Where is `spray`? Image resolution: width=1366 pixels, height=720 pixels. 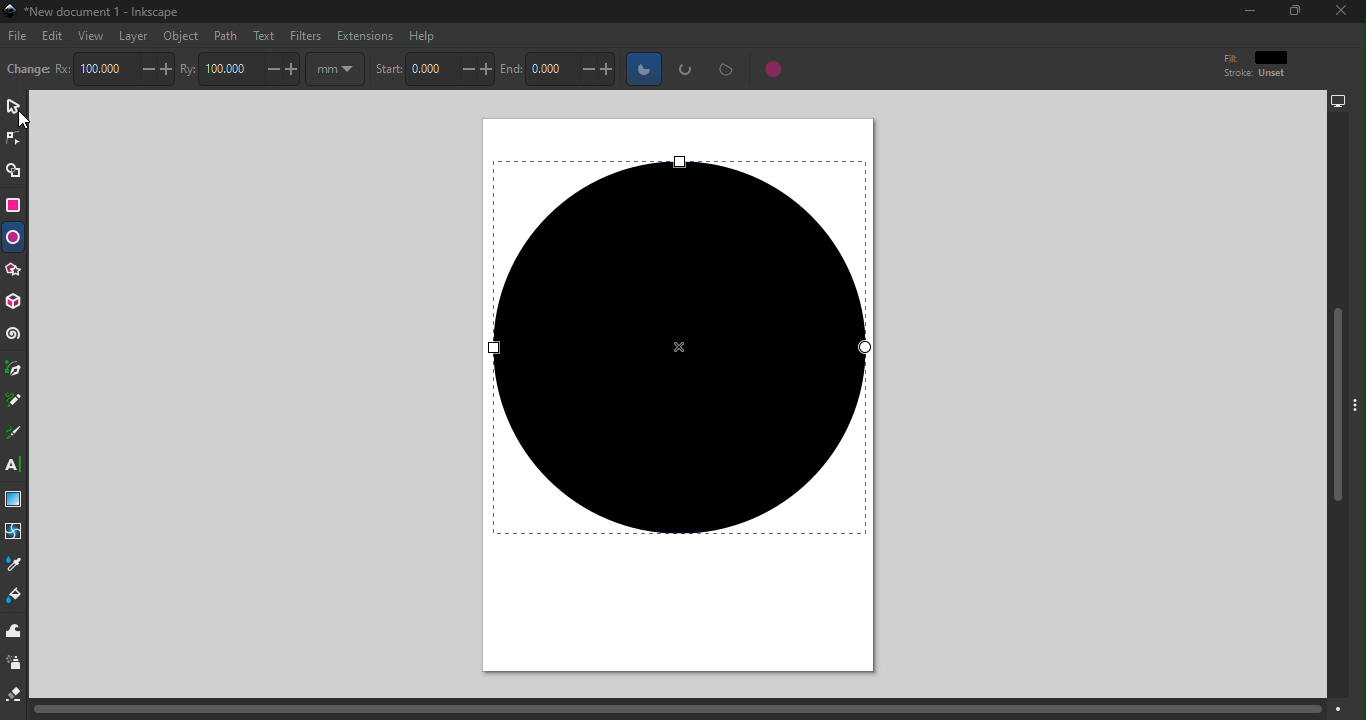 spray is located at coordinates (15, 664).